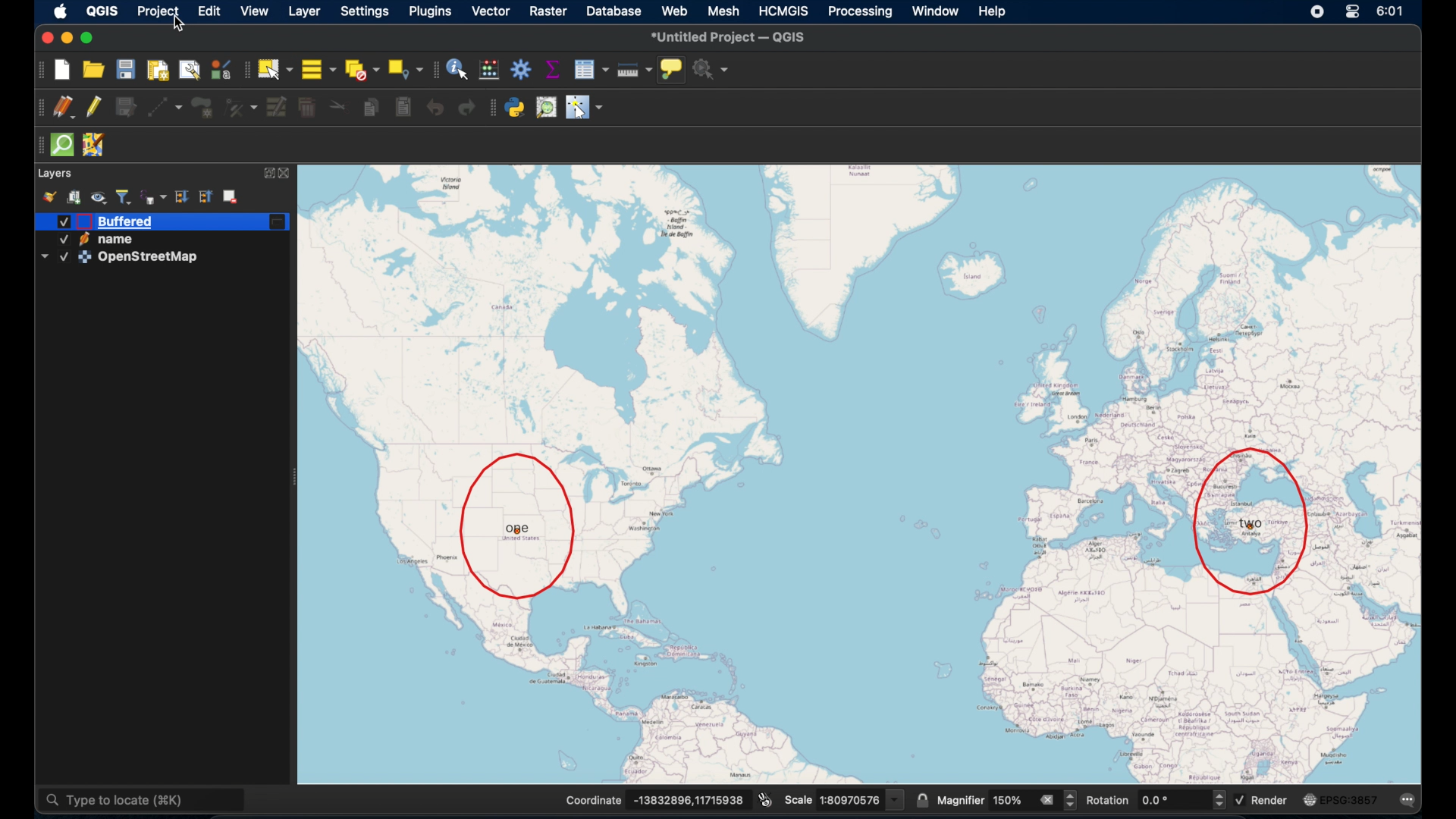 The height and width of the screenshot is (819, 1456). Describe the element at coordinates (63, 257) in the screenshot. I see `Checked checkbox` at that location.